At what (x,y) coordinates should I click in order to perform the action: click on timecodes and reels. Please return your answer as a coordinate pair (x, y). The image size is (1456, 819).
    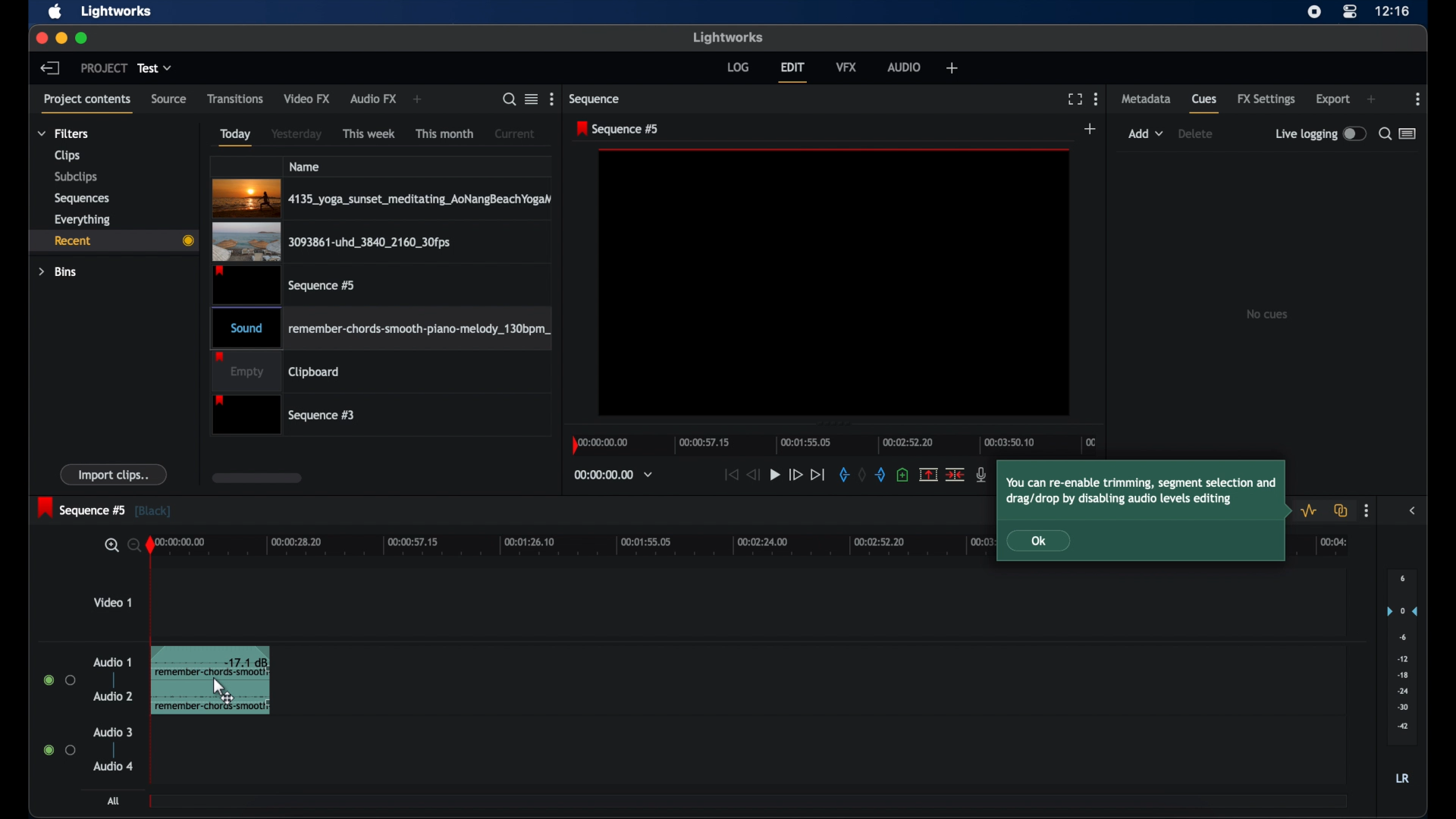
    Looking at the image, I should click on (613, 475).